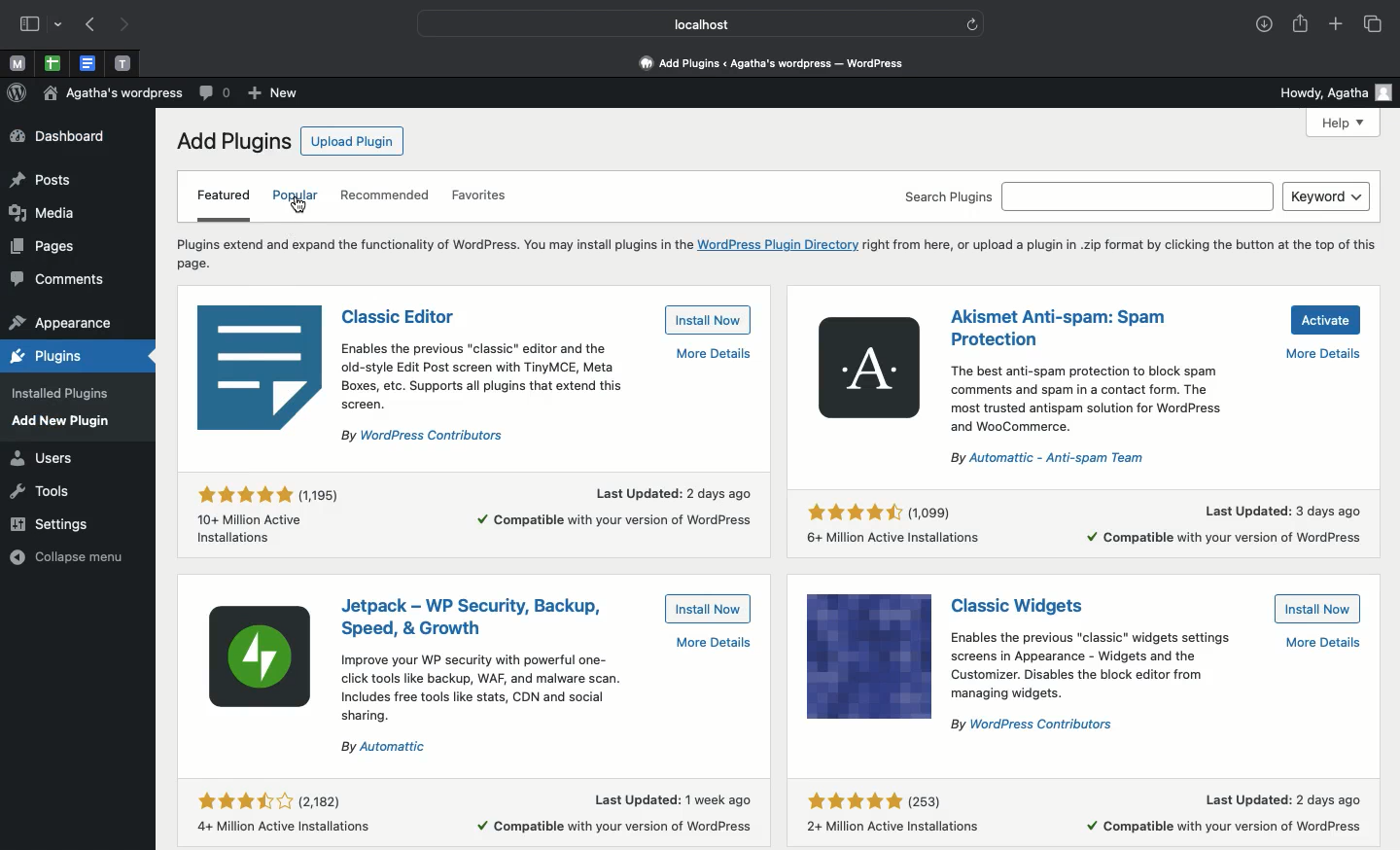  What do you see at coordinates (213, 94) in the screenshot?
I see `Comment` at bounding box center [213, 94].